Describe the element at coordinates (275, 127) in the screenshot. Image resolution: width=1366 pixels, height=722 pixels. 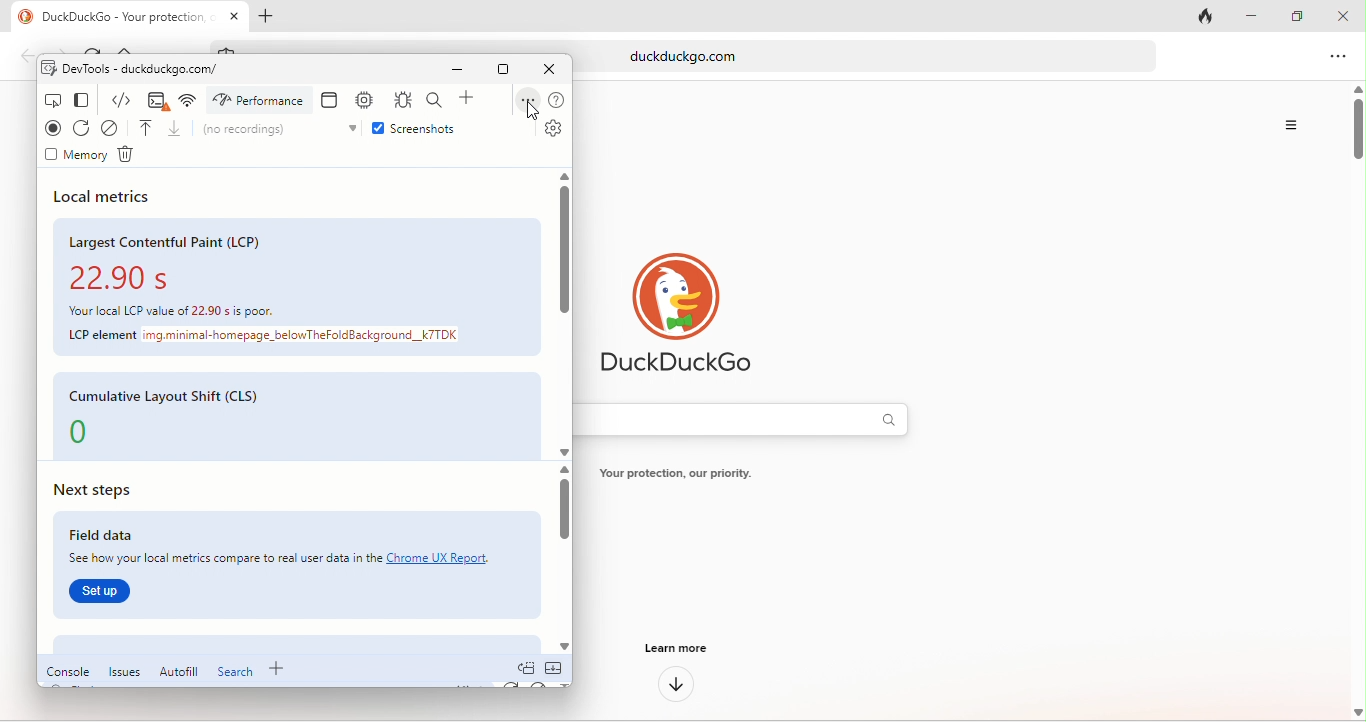
I see `no recordings` at that location.